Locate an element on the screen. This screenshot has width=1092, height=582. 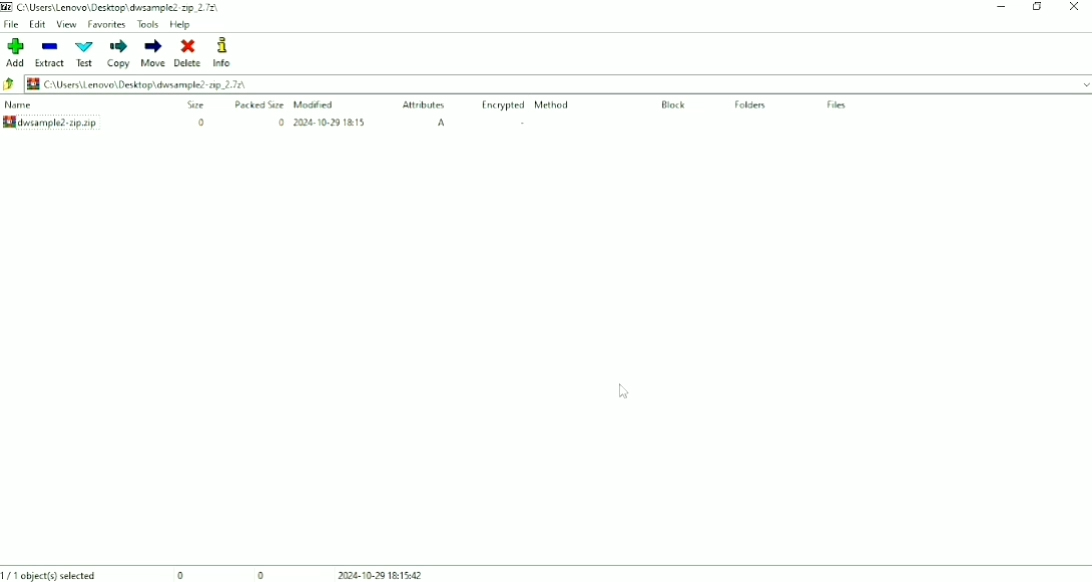
Block is located at coordinates (674, 105).